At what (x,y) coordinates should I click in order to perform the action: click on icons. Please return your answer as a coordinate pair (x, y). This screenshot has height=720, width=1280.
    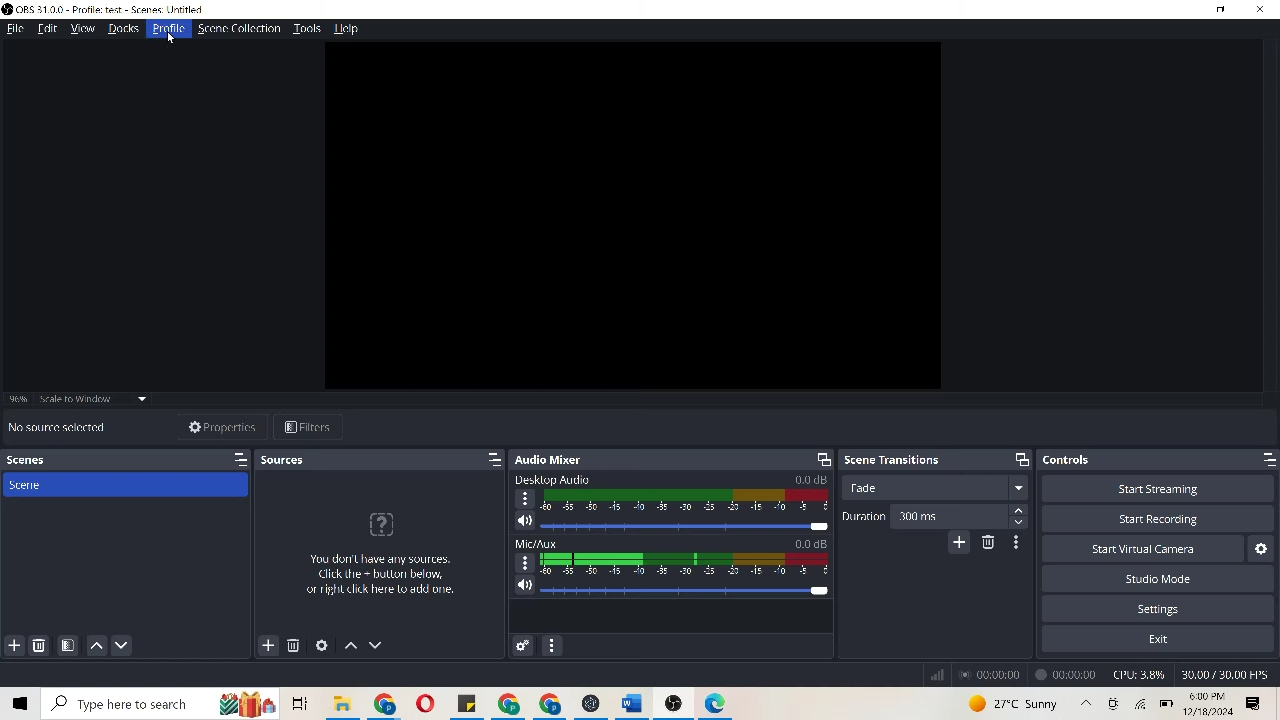
    Looking at the image, I should click on (266, 703).